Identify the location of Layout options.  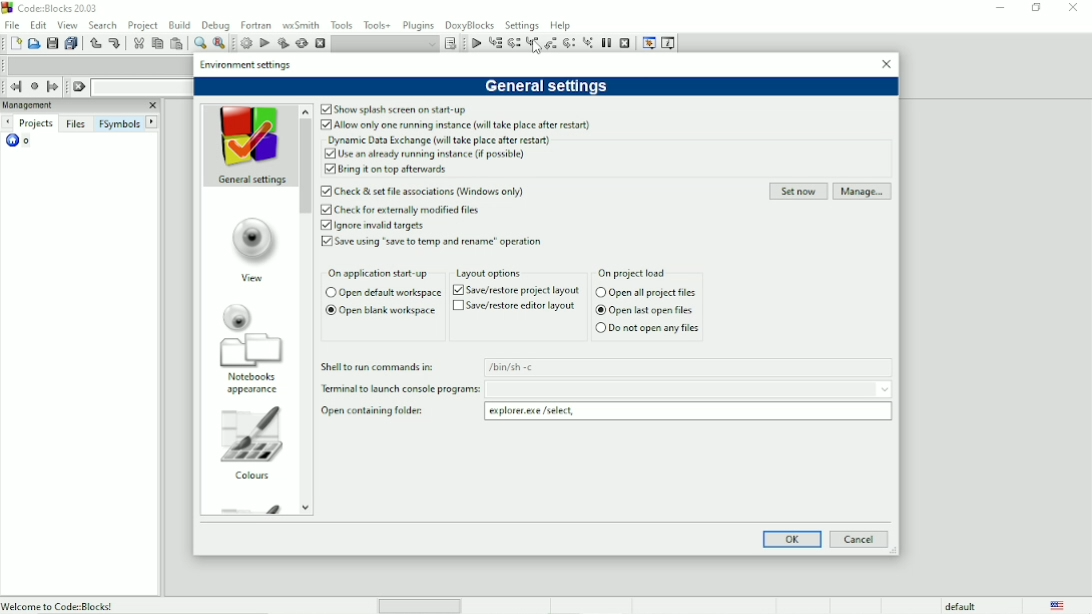
(492, 273).